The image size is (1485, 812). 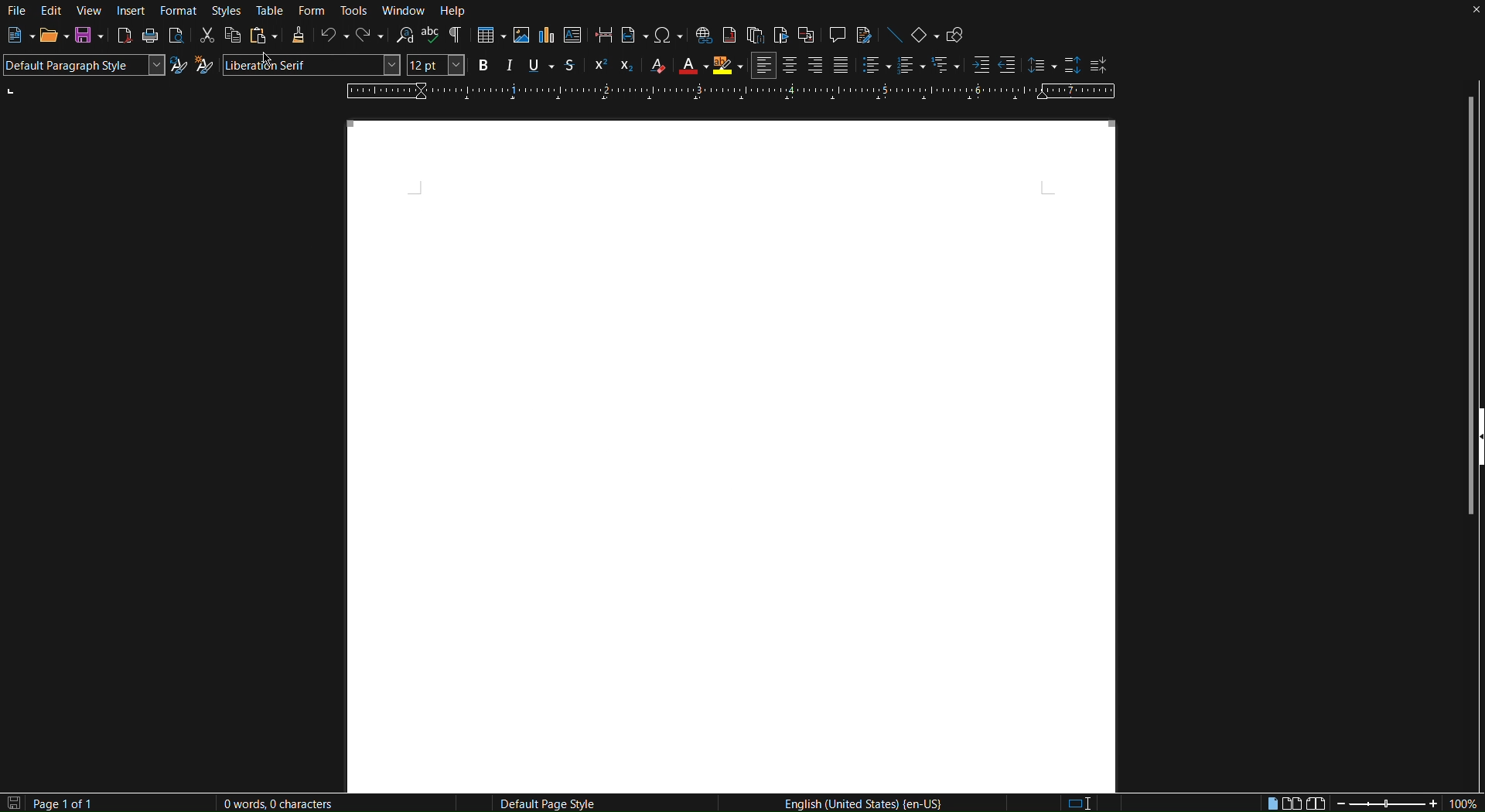 What do you see at coordinates (841, 67) in the screenshot?
I see `Justify` at bounding box center [841, 67].